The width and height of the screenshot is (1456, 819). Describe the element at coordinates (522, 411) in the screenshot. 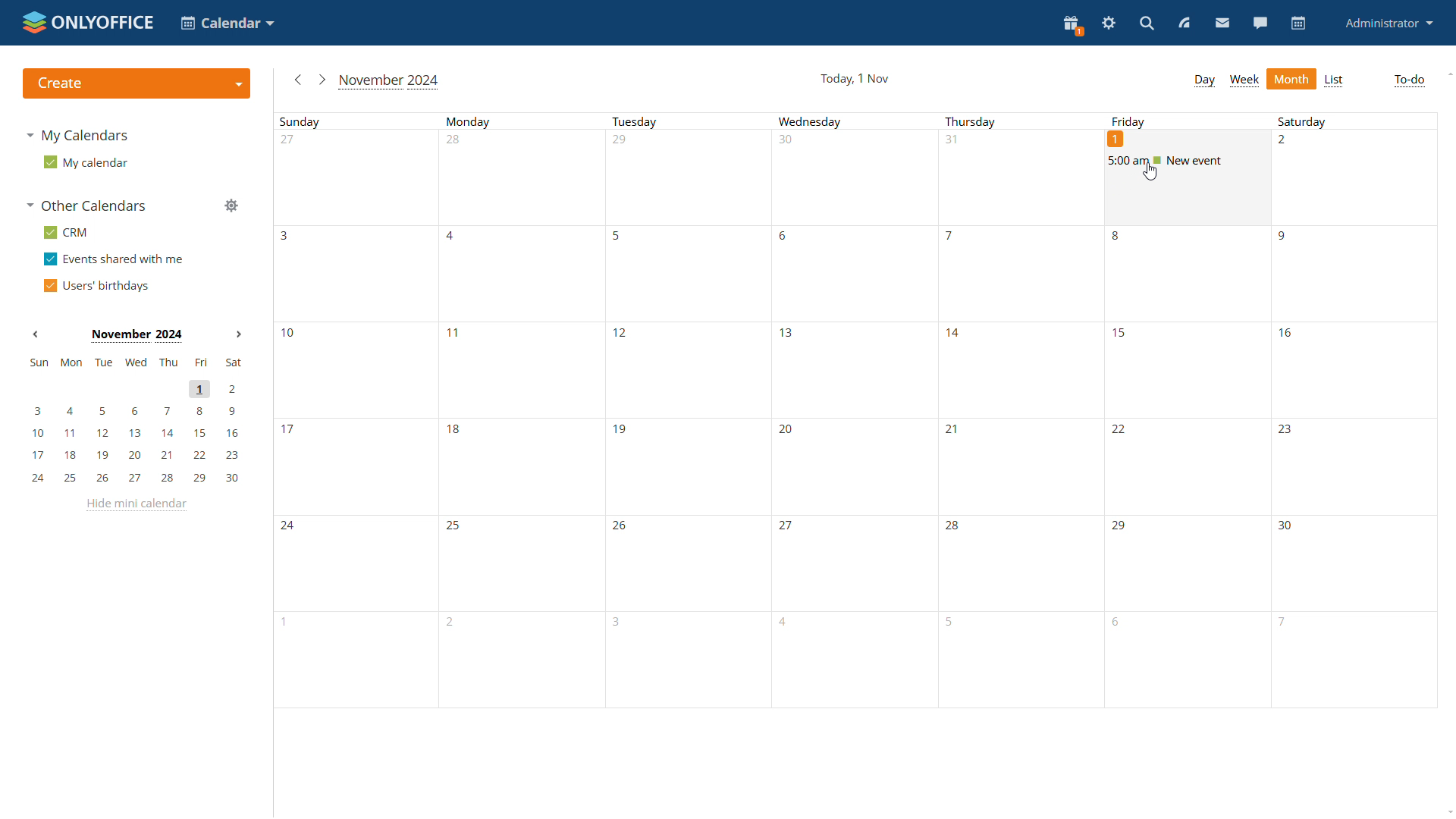

I see `Mondays` at that location.